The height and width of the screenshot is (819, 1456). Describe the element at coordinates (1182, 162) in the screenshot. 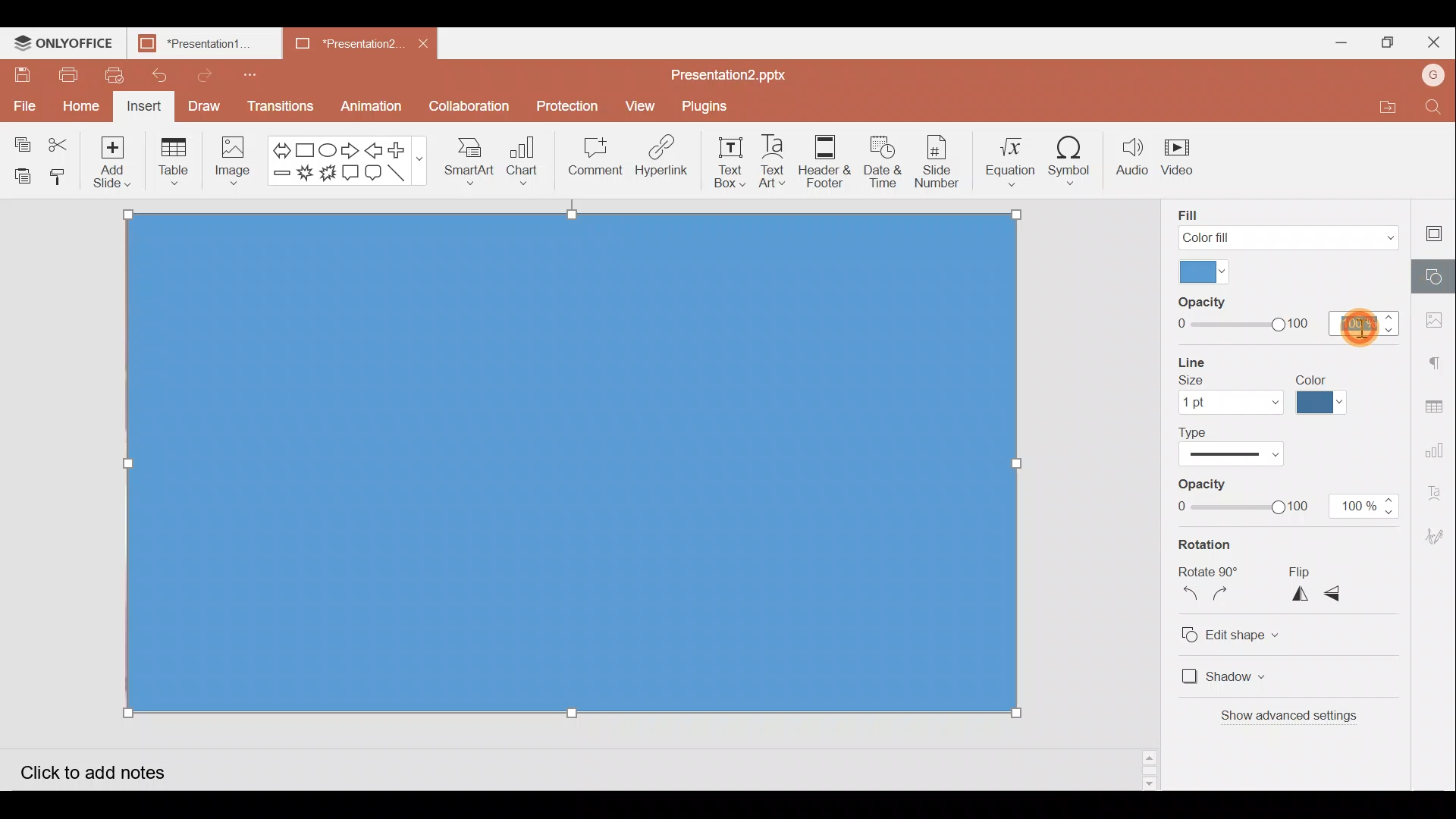

I see `Video` at that location.